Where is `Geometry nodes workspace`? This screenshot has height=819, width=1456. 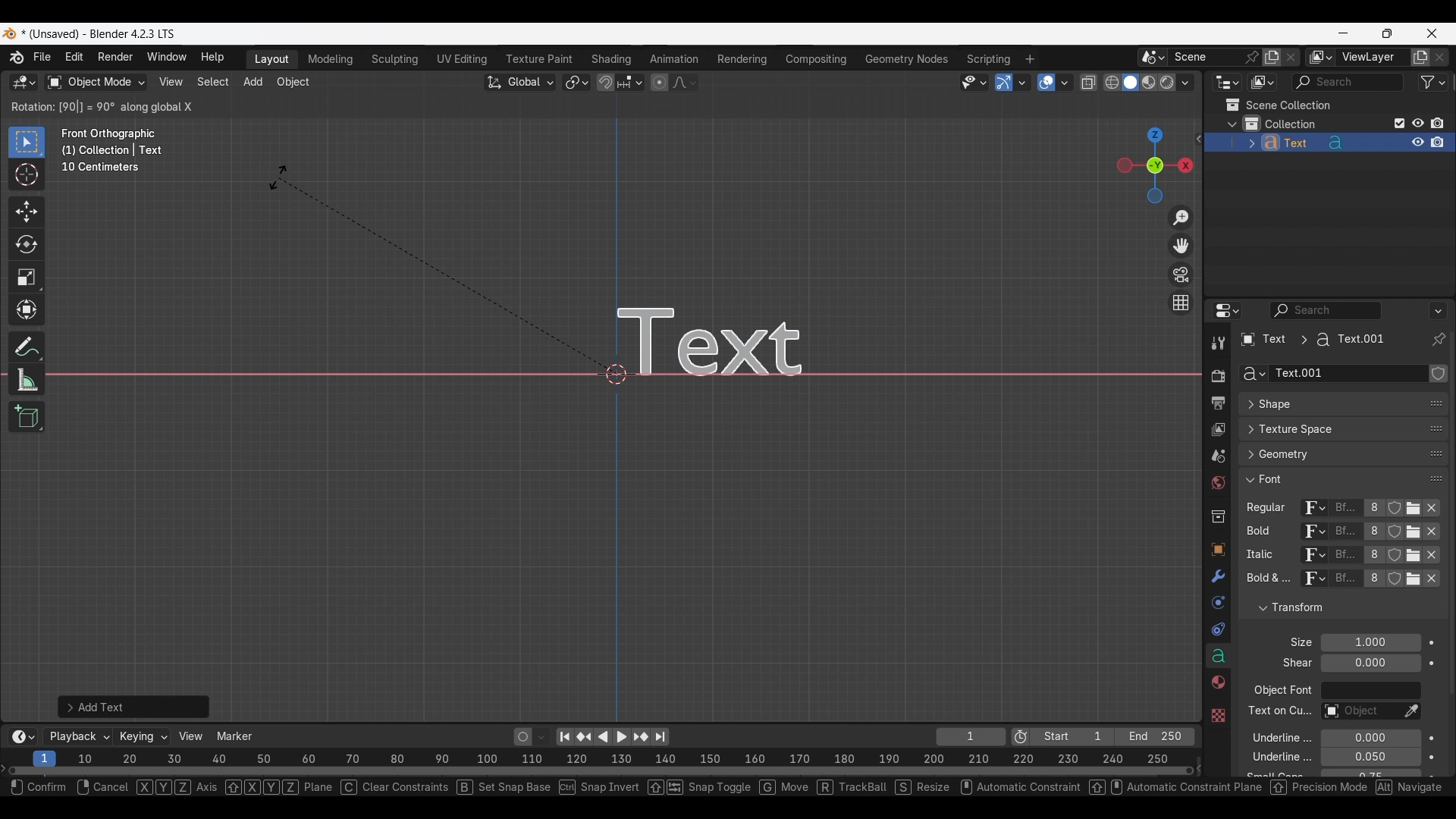
Geometry nodes workspace is located at coordinates (906, 58).